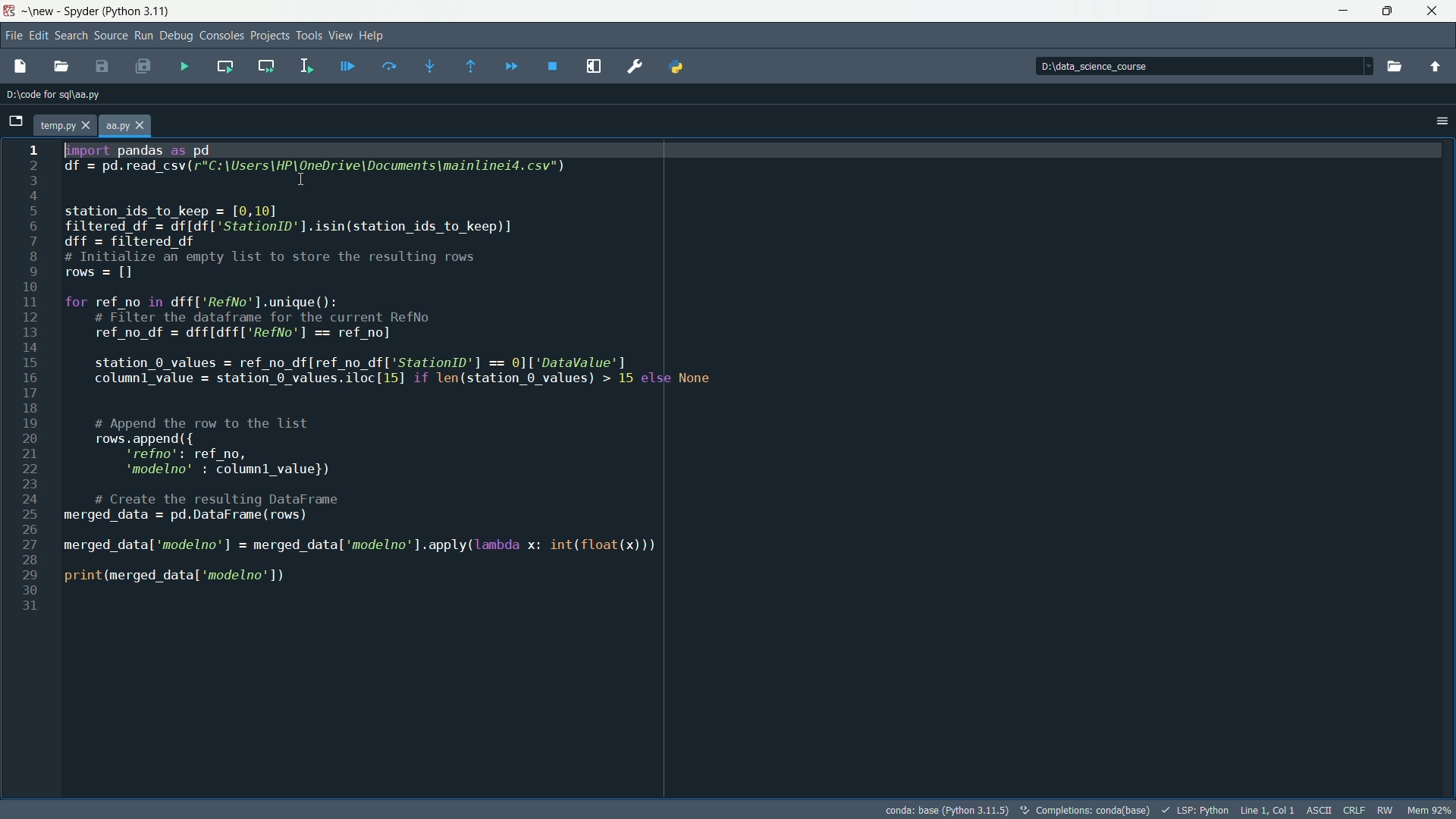 This screenshot has height=819, width=1456. I want to click on stop debugging, so click(551, 65).